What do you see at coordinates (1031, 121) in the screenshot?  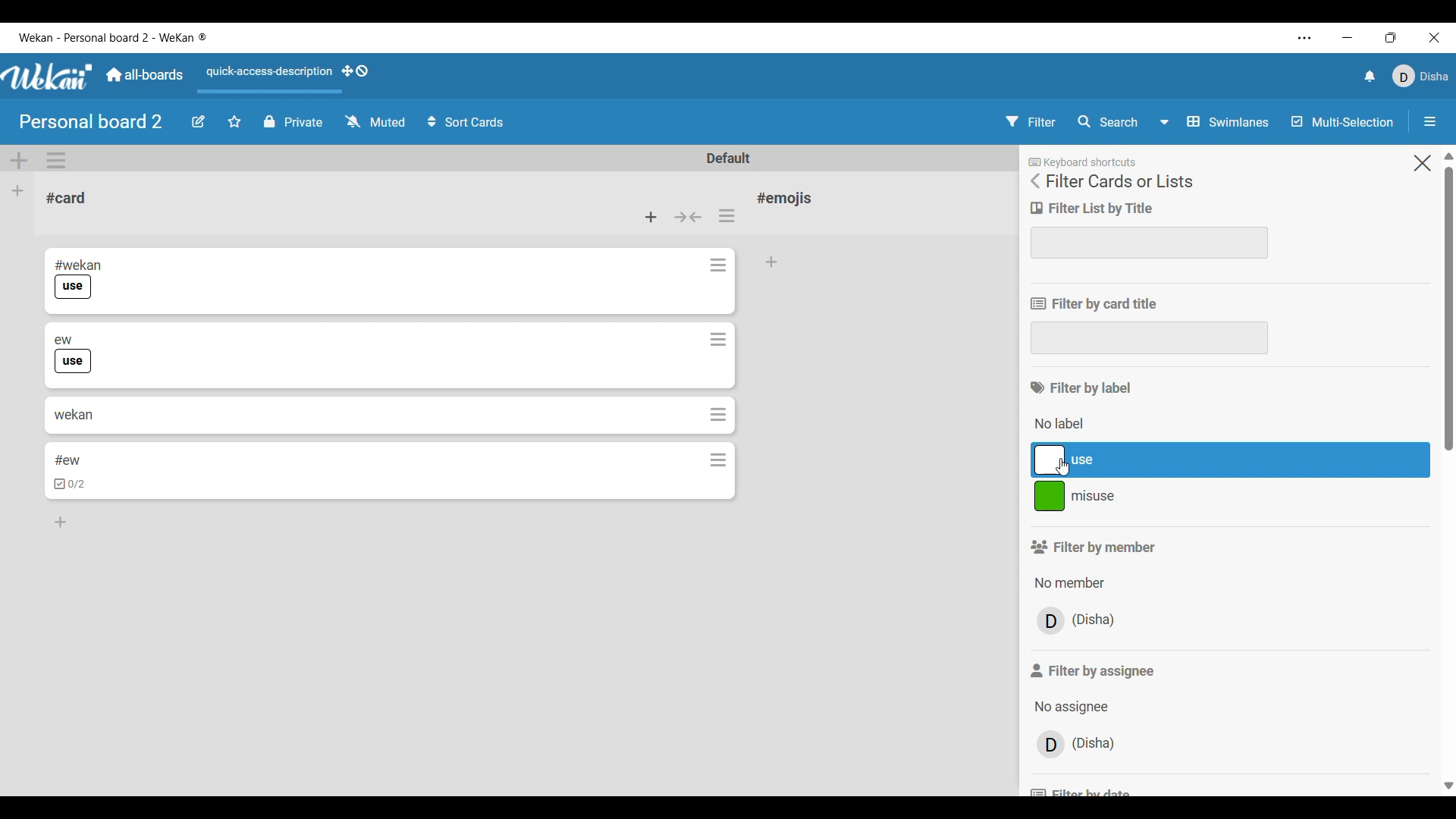 I see `Filter settings` at bounding box center [1031, 121].